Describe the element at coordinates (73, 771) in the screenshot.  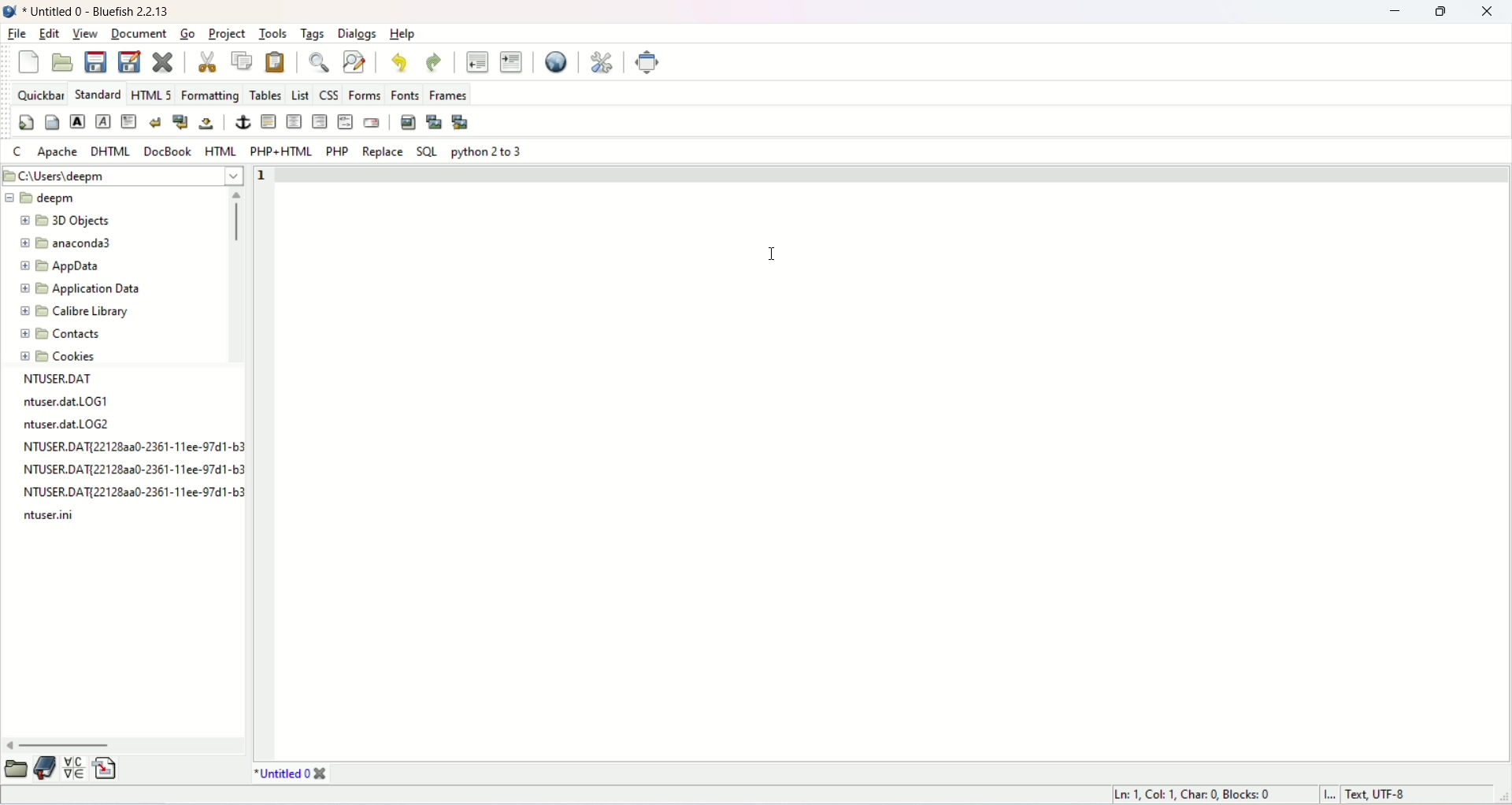
I see `insert special character` at that location.